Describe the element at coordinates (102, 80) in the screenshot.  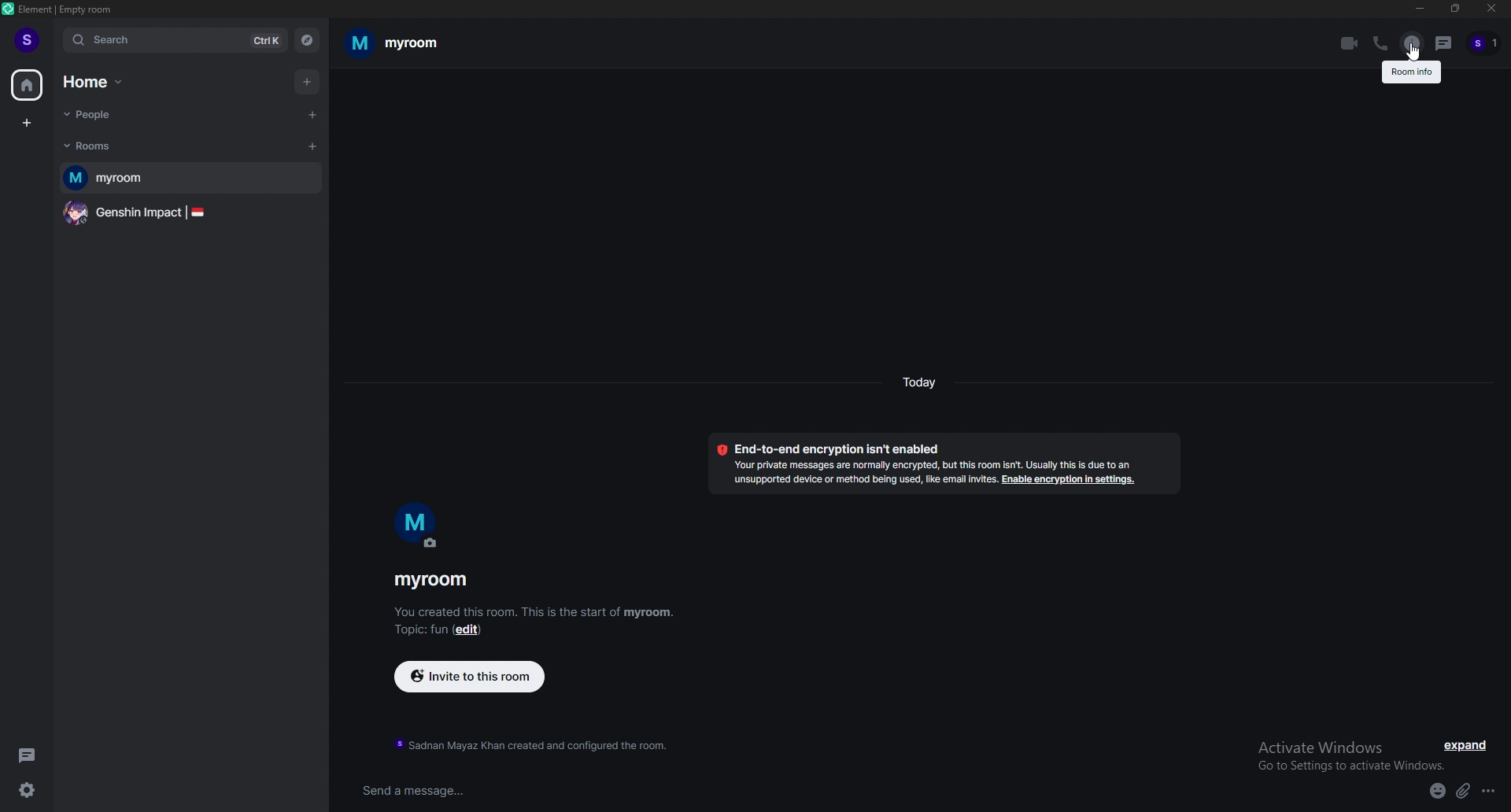
I see `home` at that location.